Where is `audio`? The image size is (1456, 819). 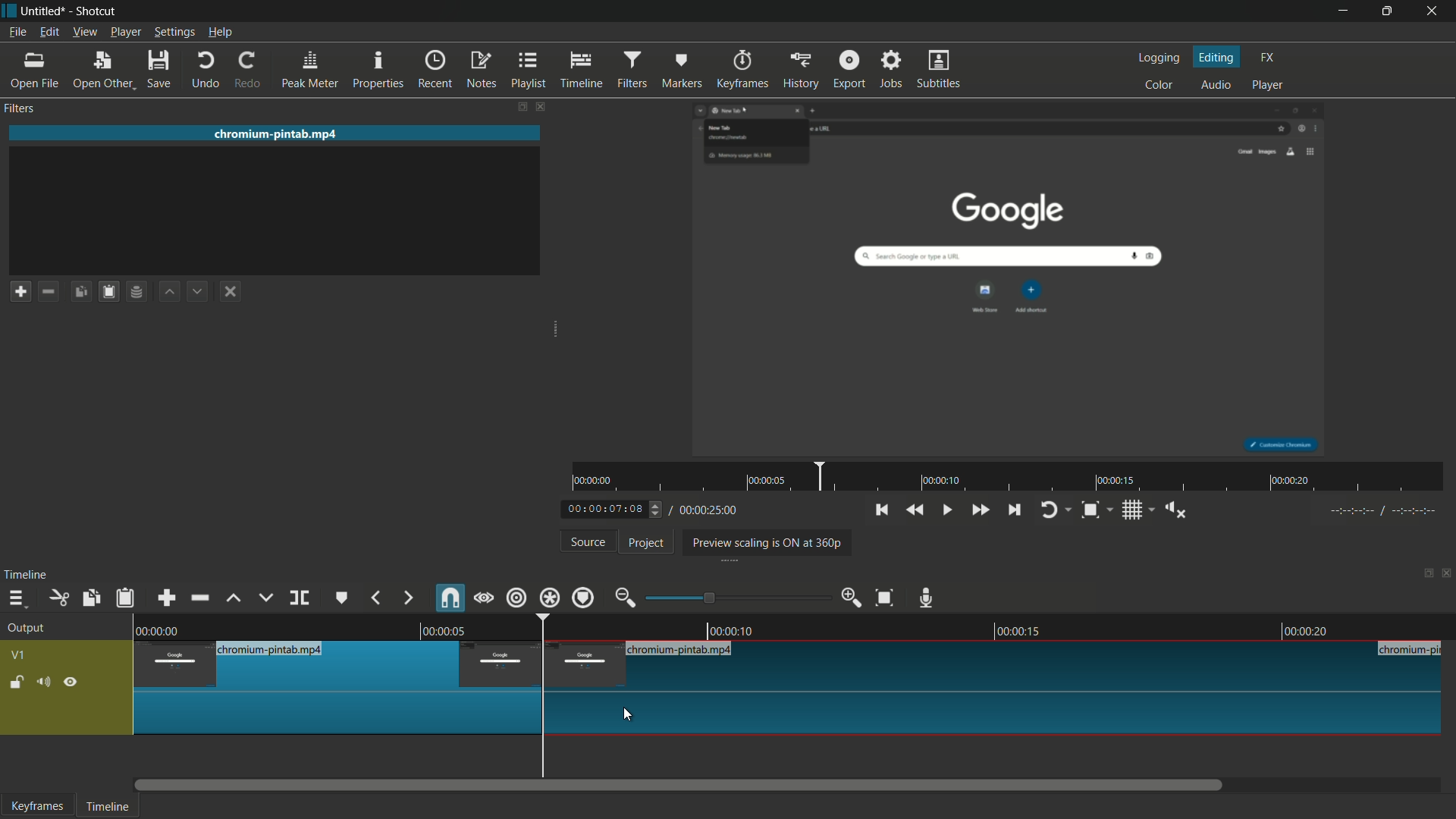
audio is located at coordinates (1216, 86).